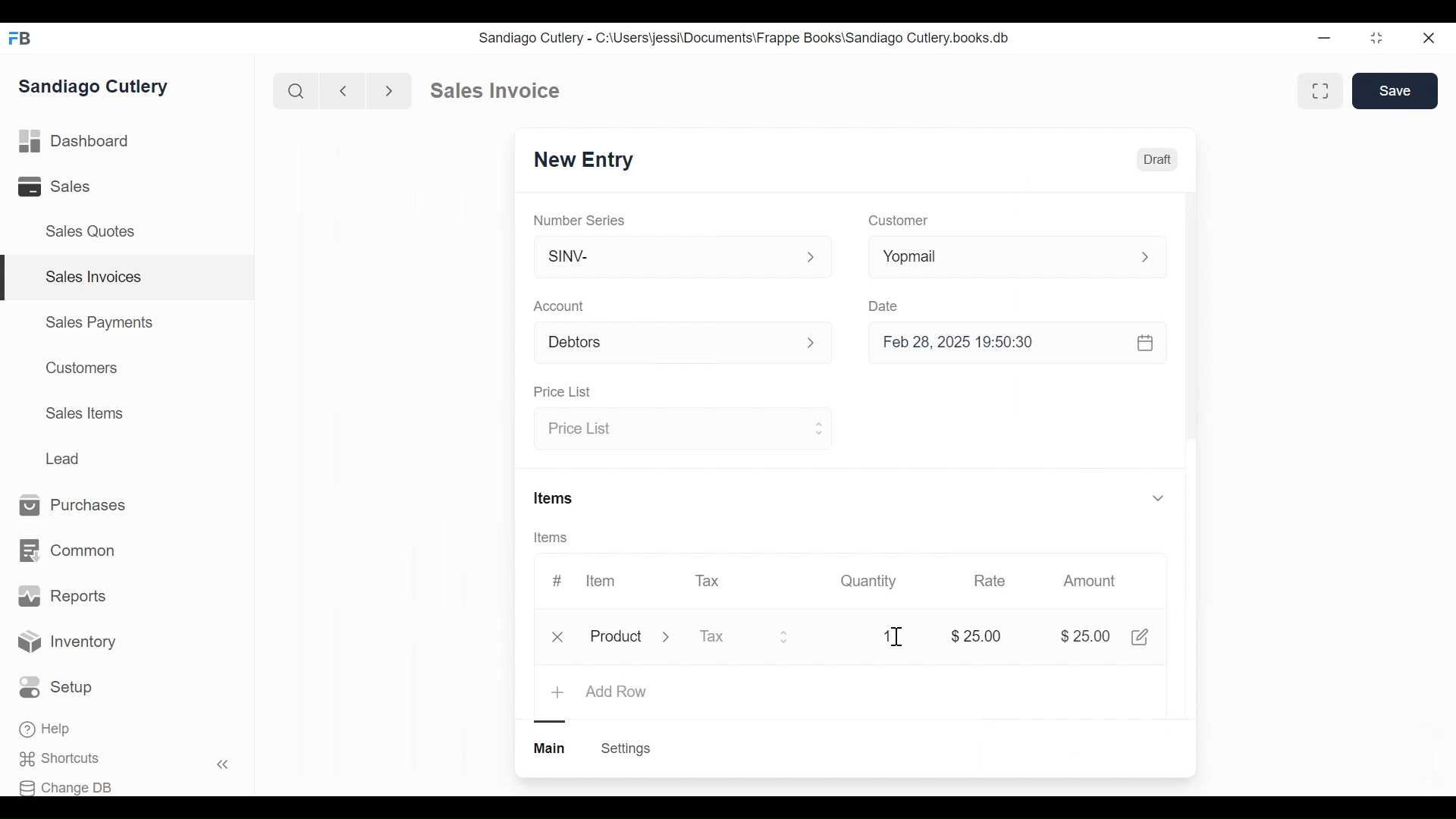 This screenshot has height=819, width=1456. Describe the element at coordinates (98, 322) in the screenshot. I see `Sales Payments` at that location.